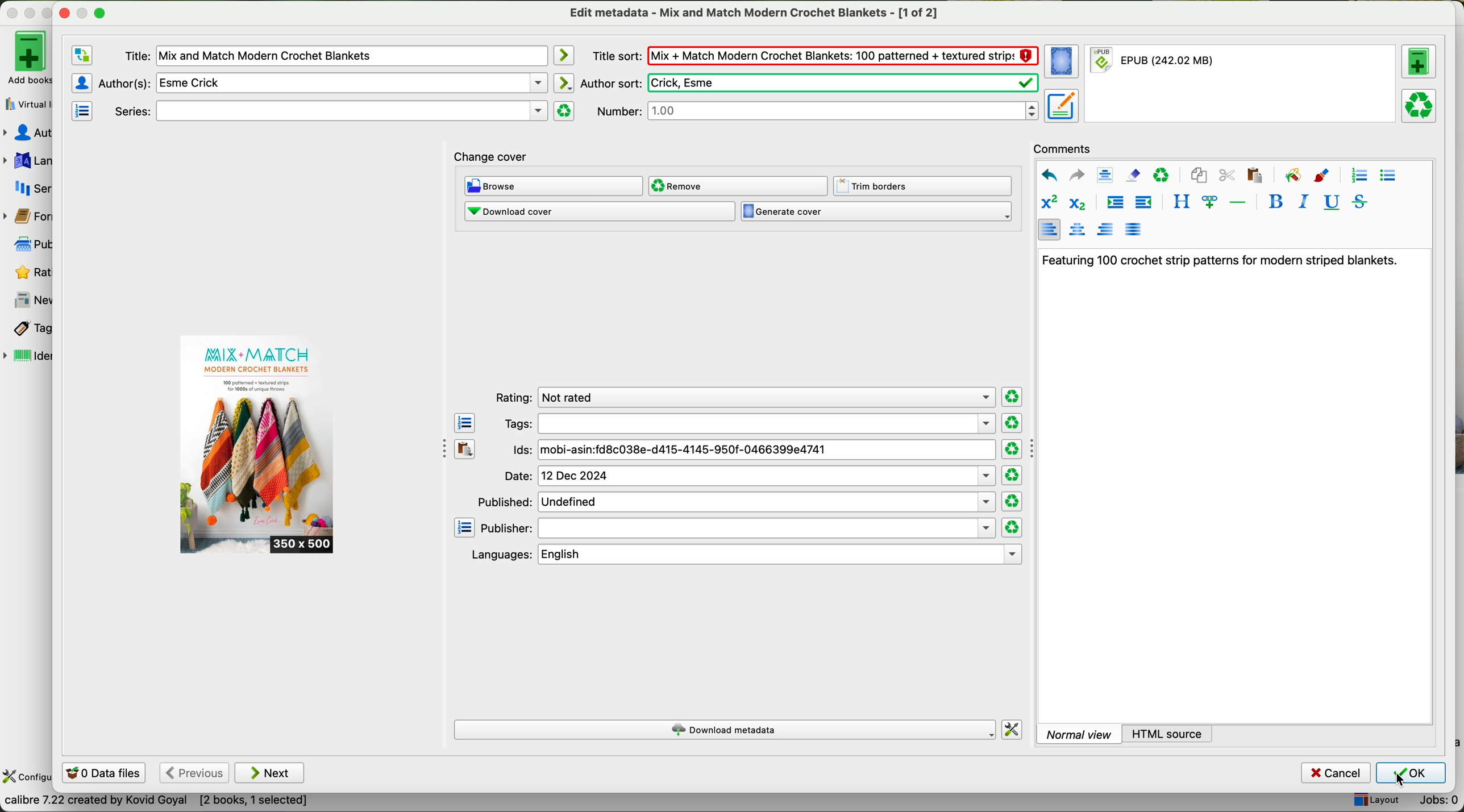 The image size is (1464, 812). I want to click on foreground color, so click(1322, 177).